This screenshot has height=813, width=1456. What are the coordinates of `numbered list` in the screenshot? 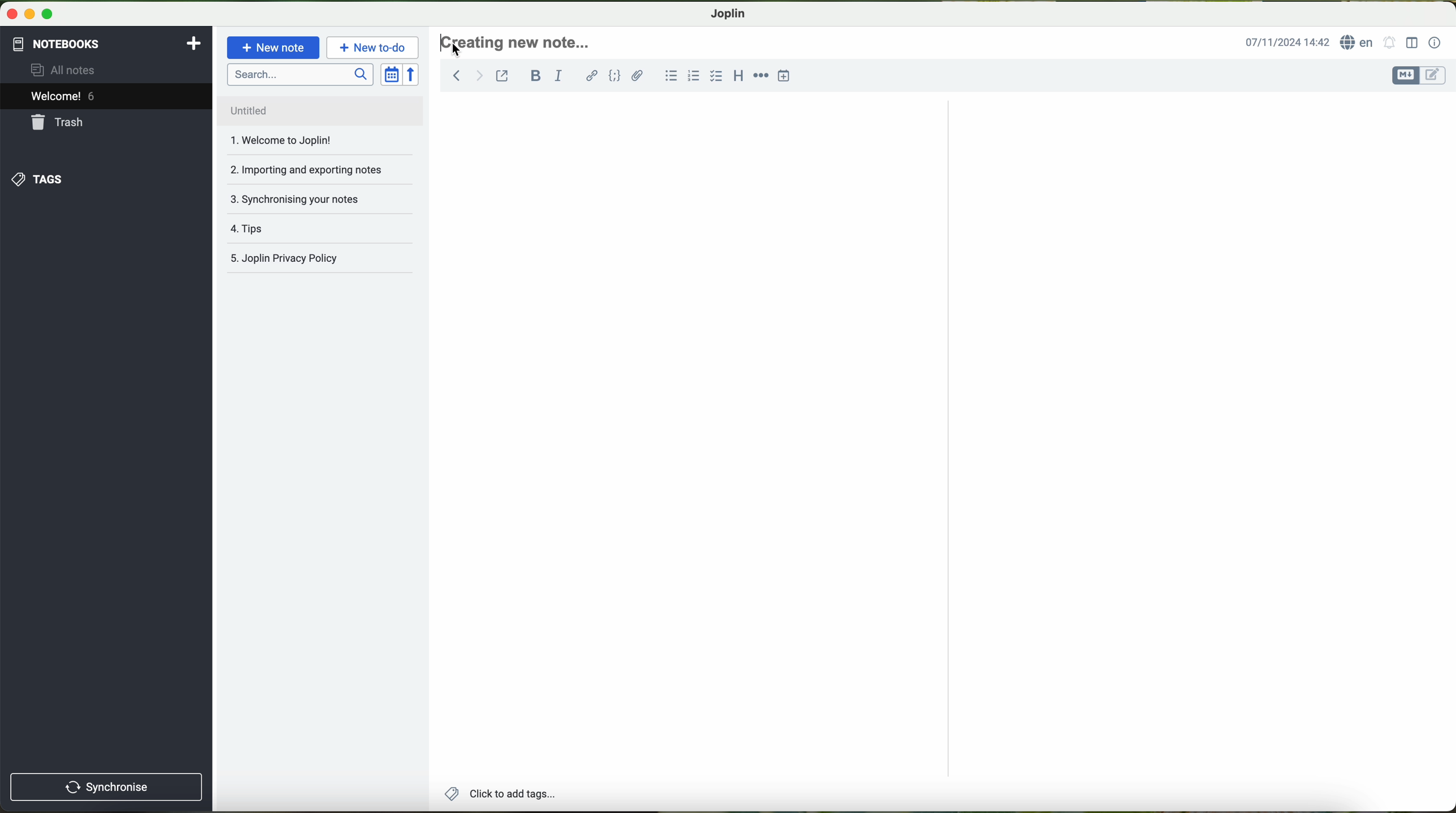 It's located at (694, 77).